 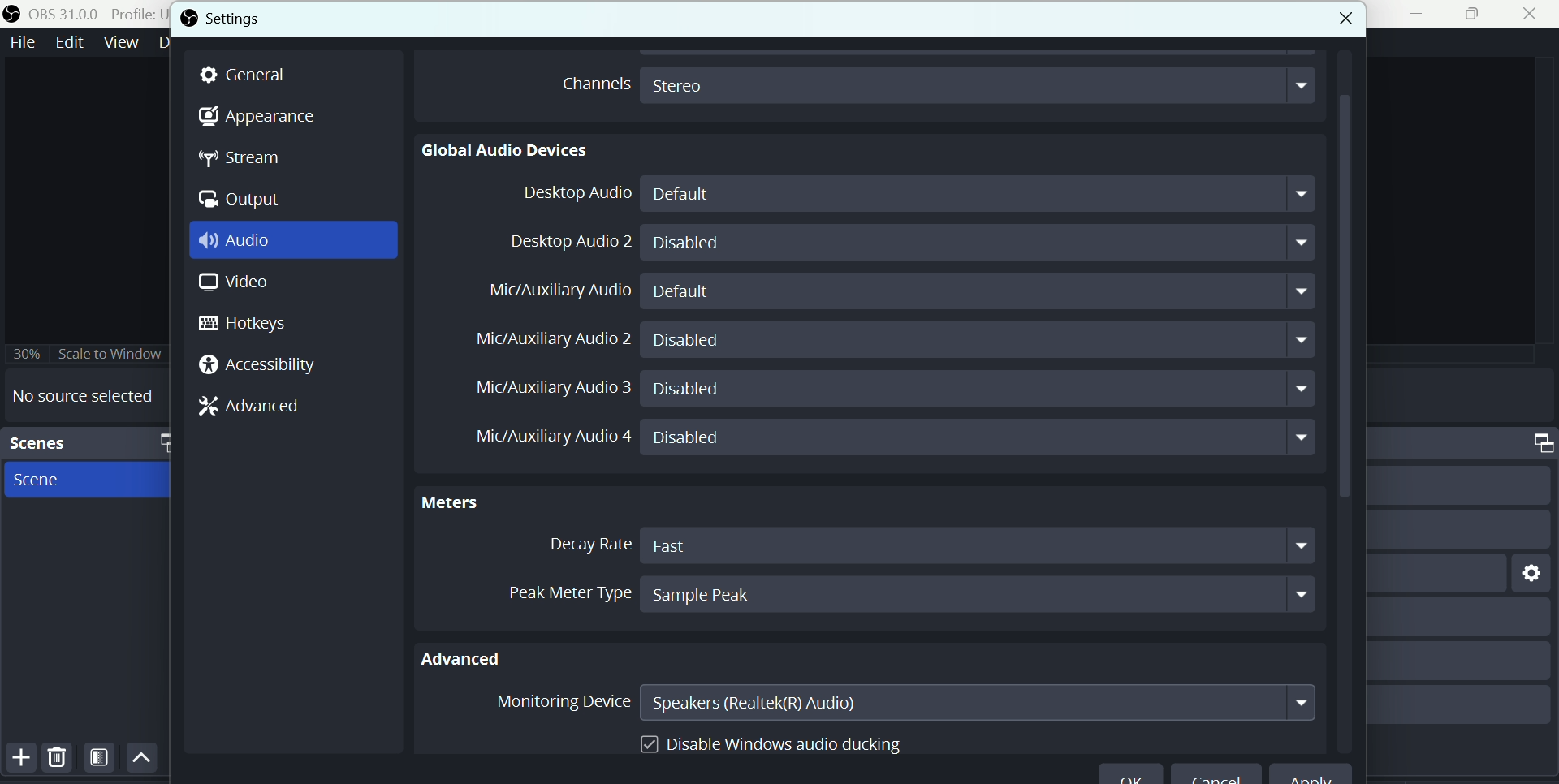 I want to click on stream, so click(x=247, y=160).